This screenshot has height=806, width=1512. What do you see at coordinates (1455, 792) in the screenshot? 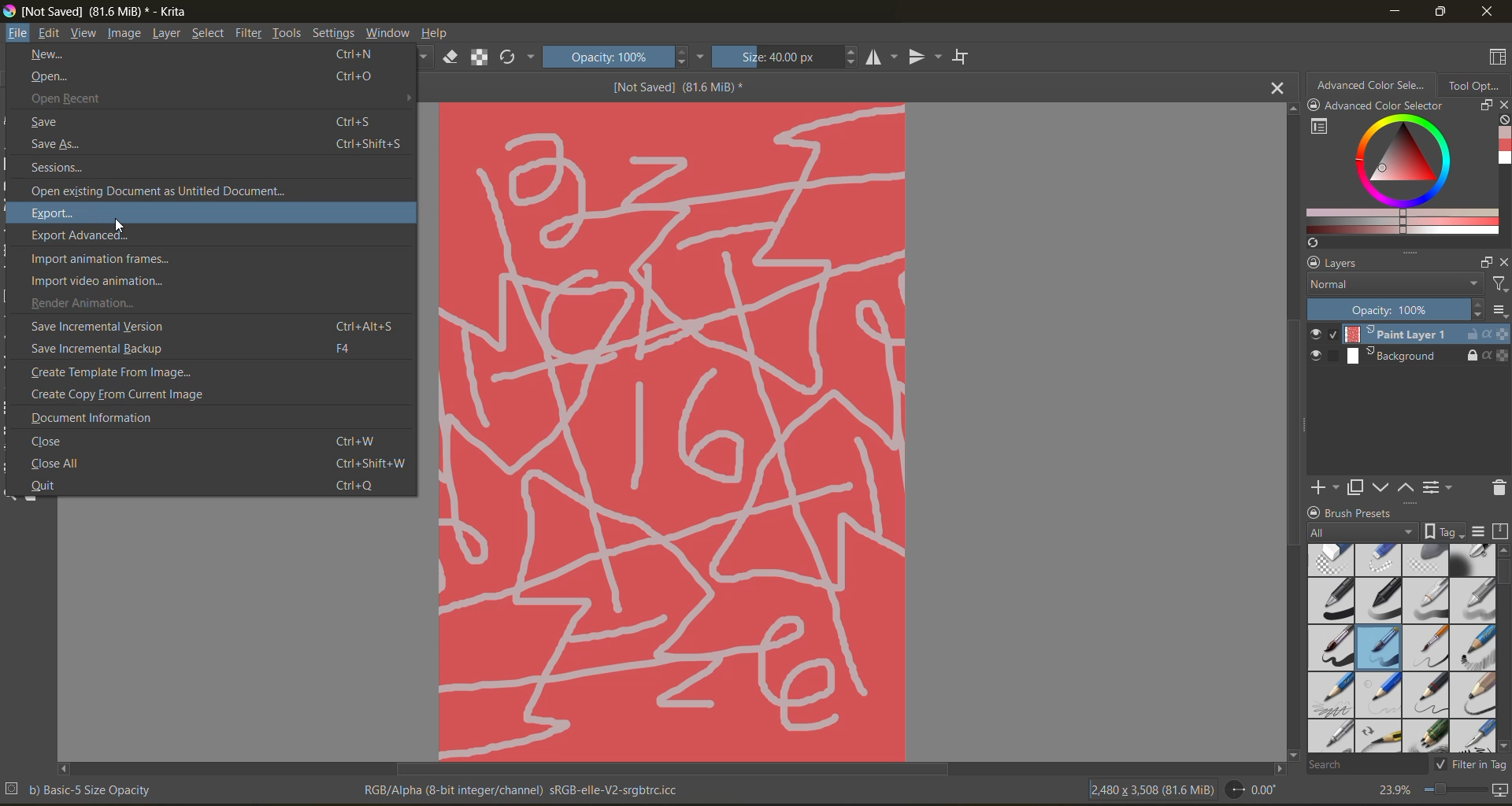
I see `zoom` at bounding box center [1455, 792].